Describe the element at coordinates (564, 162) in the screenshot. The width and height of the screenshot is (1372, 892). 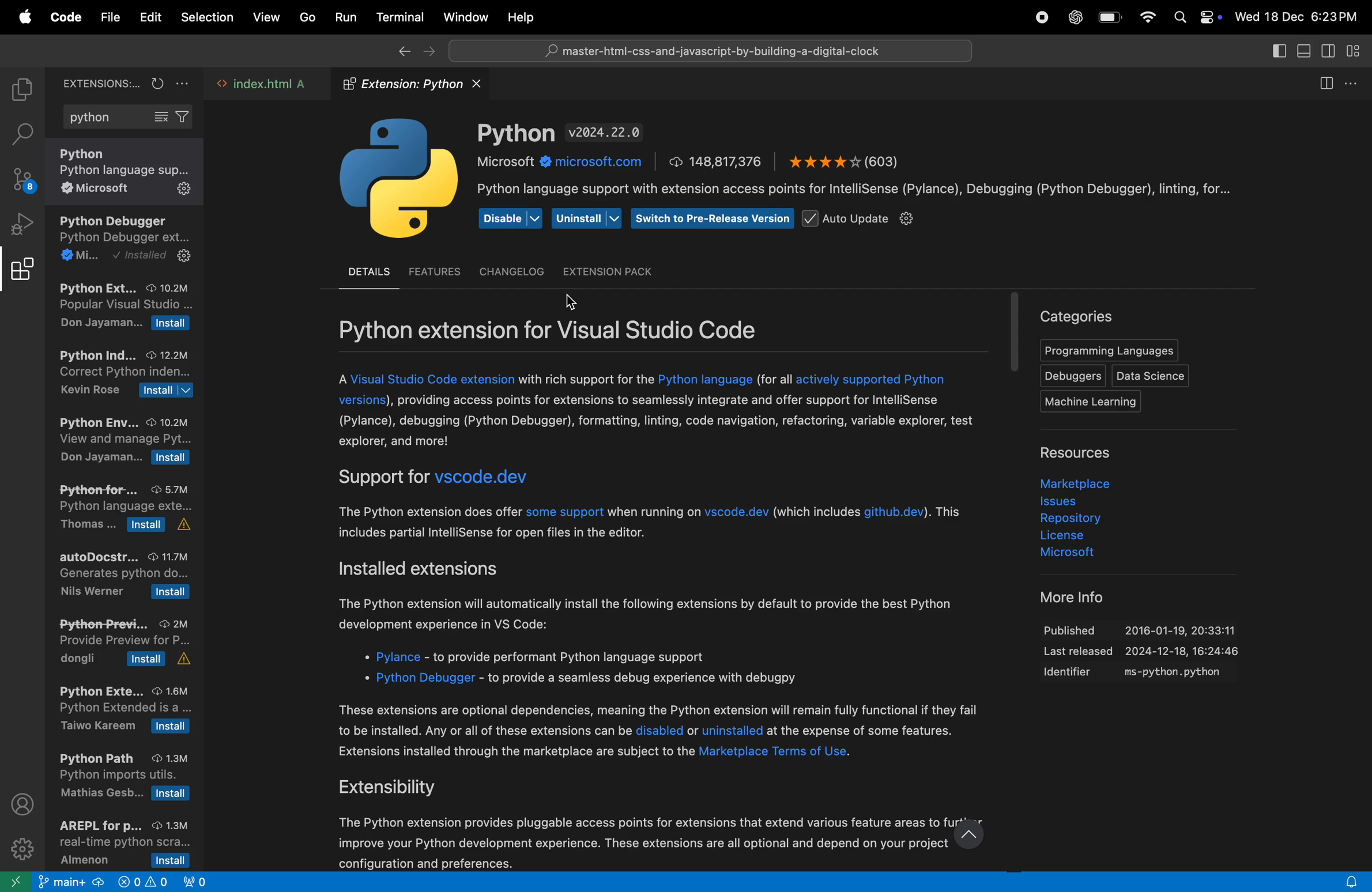
I see `url` at that location.